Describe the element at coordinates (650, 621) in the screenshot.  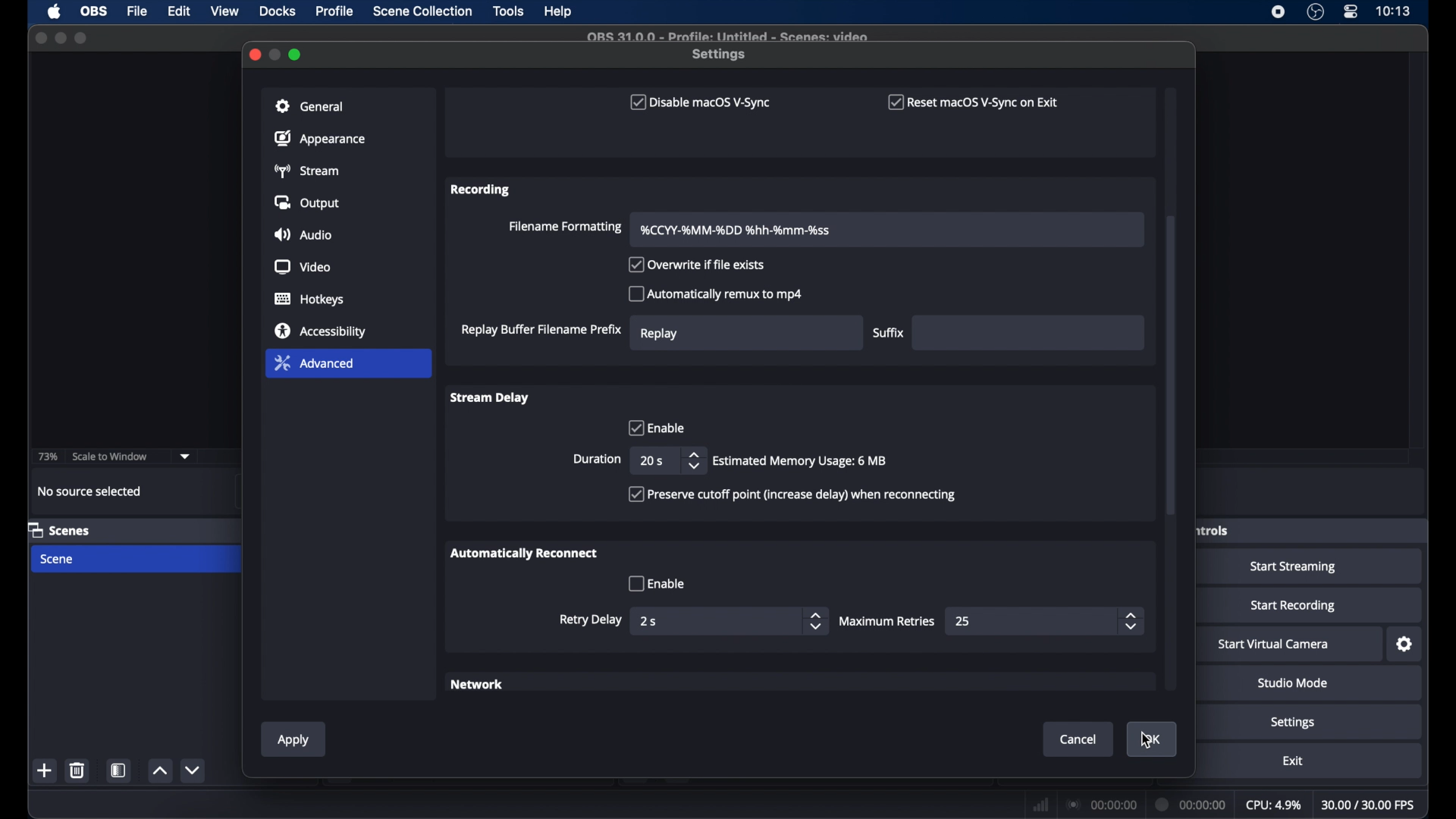
I see `2s` at that location.